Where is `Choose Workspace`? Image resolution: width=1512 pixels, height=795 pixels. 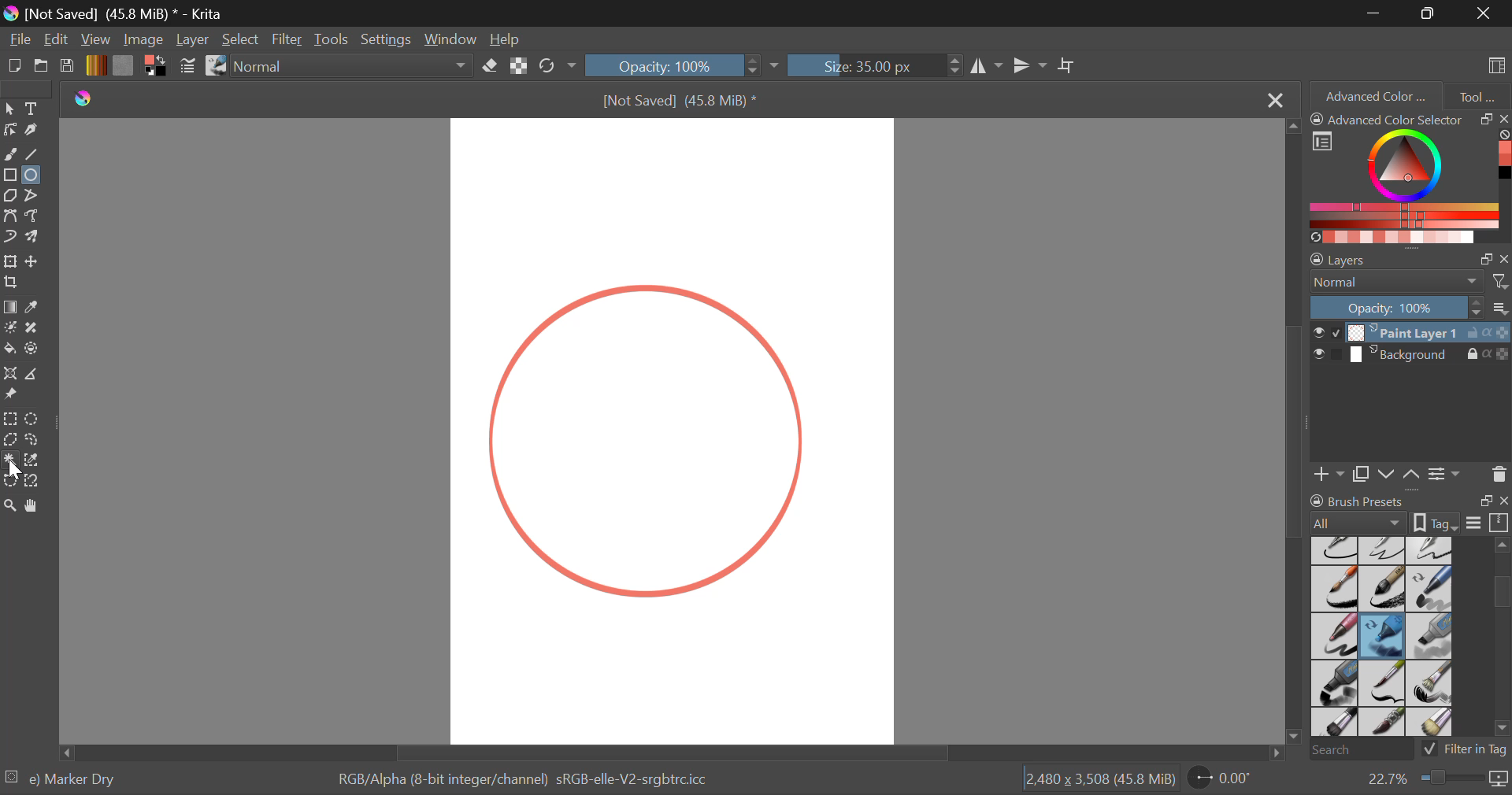
Choose Workspace is located at coordinates (1494, 64).